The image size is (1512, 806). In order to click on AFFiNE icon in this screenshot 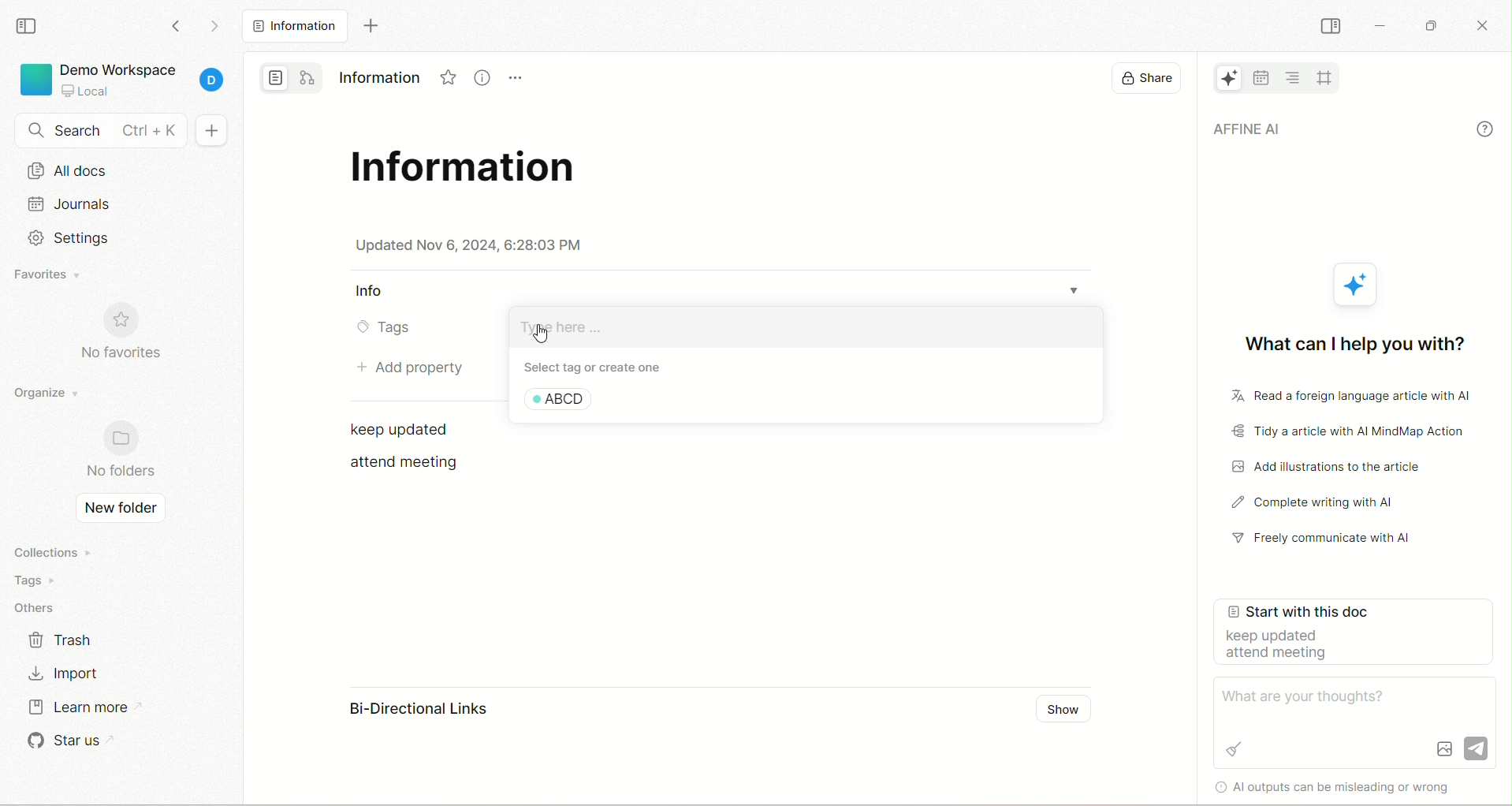, I will do `click(1358, 285)`.